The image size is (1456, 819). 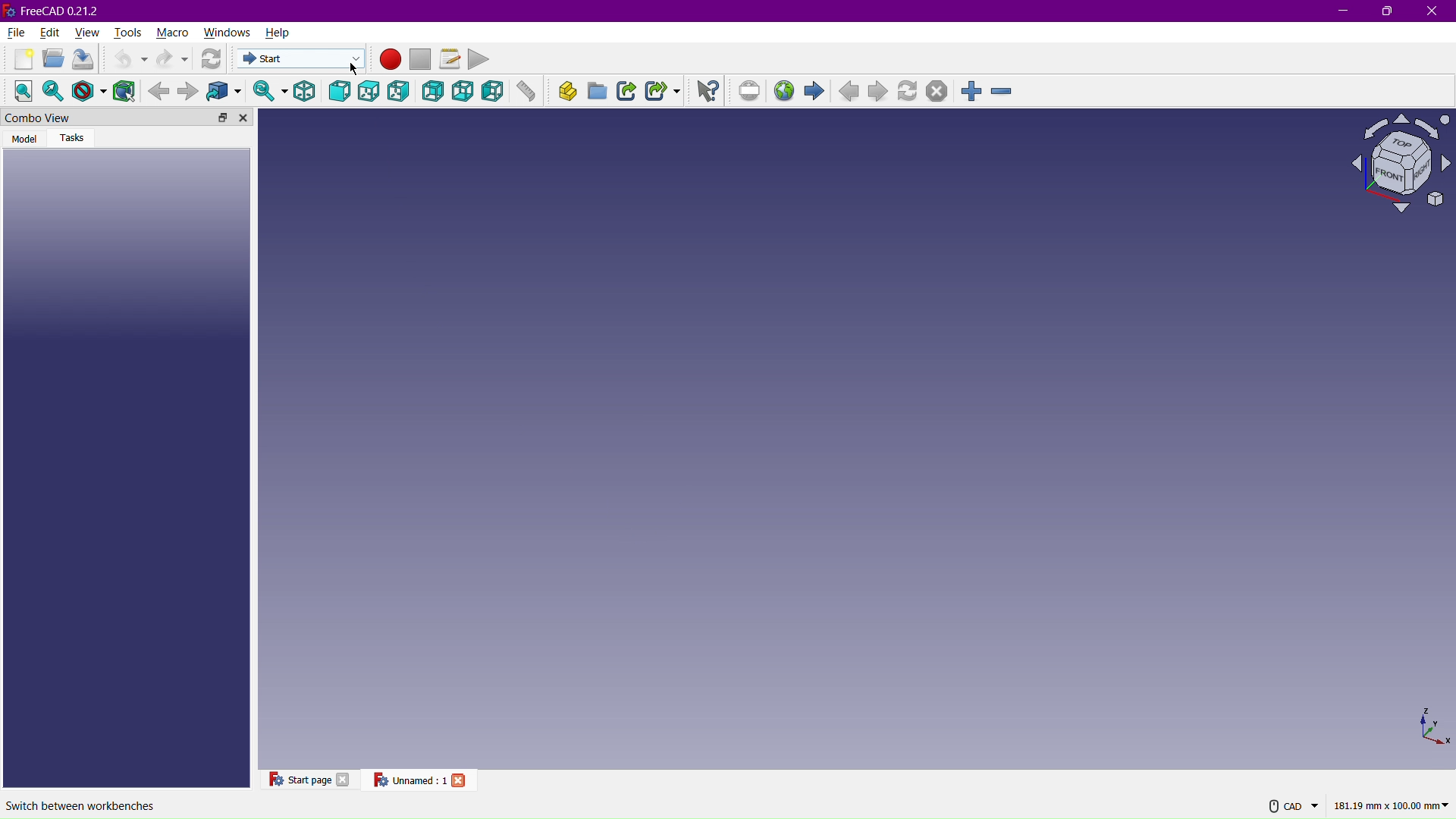 I want to click on CAD, so click(x=1296, y=806).